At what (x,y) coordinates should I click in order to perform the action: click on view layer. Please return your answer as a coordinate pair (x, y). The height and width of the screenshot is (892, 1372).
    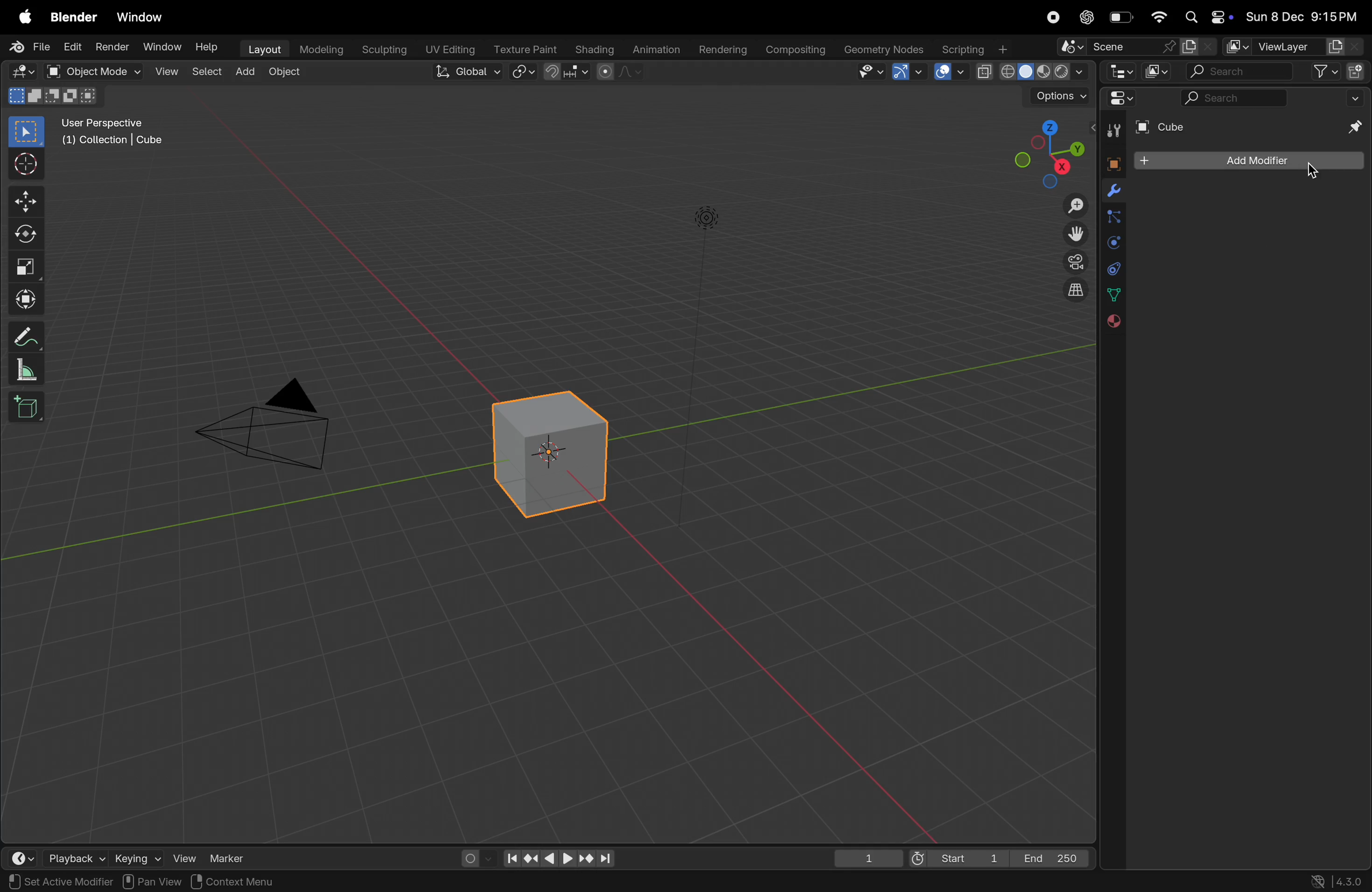
    Looking at the image, I should click on (1291, 47).